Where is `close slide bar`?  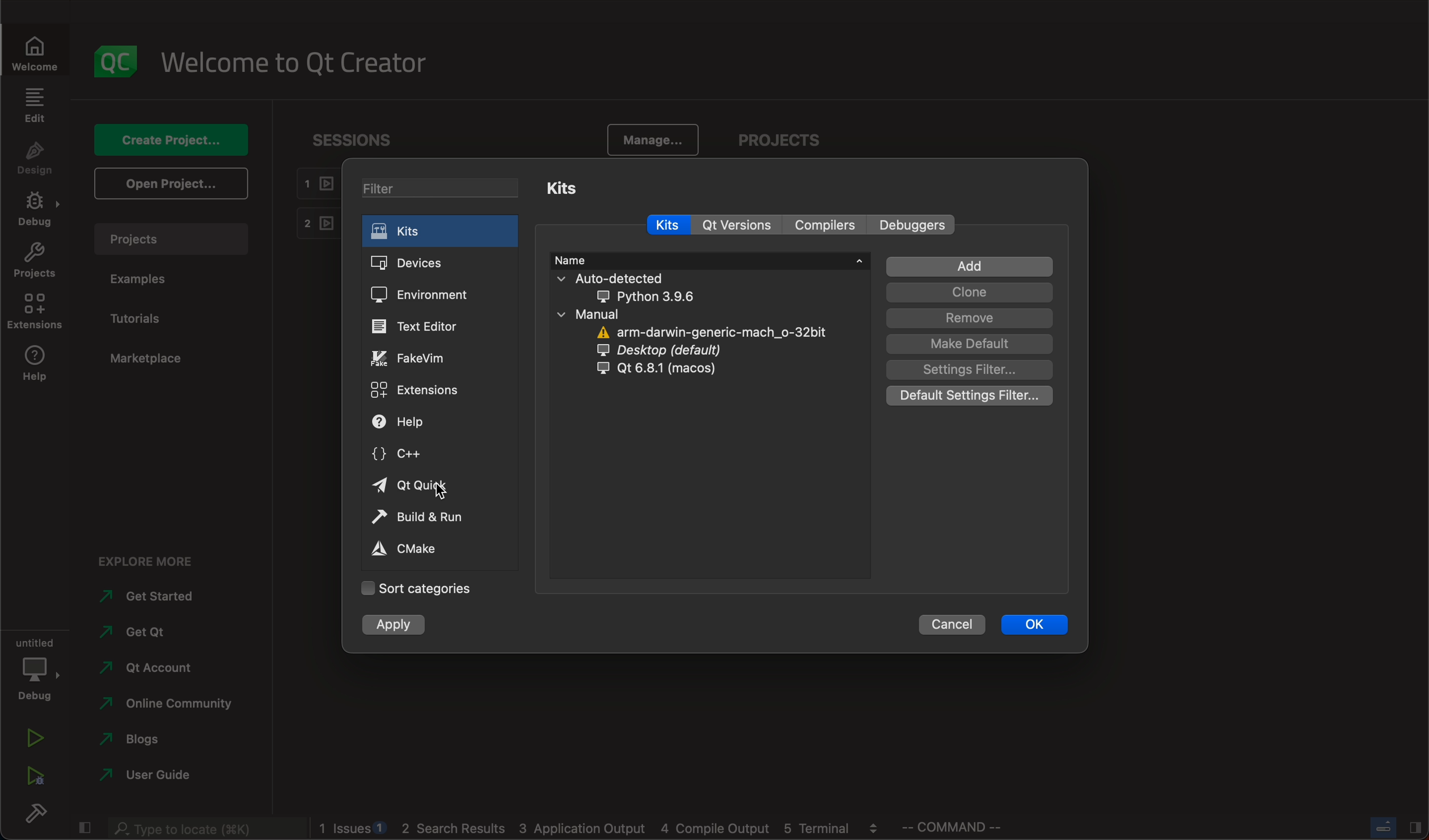
close slide bar is located at coordinates (1393, 826).